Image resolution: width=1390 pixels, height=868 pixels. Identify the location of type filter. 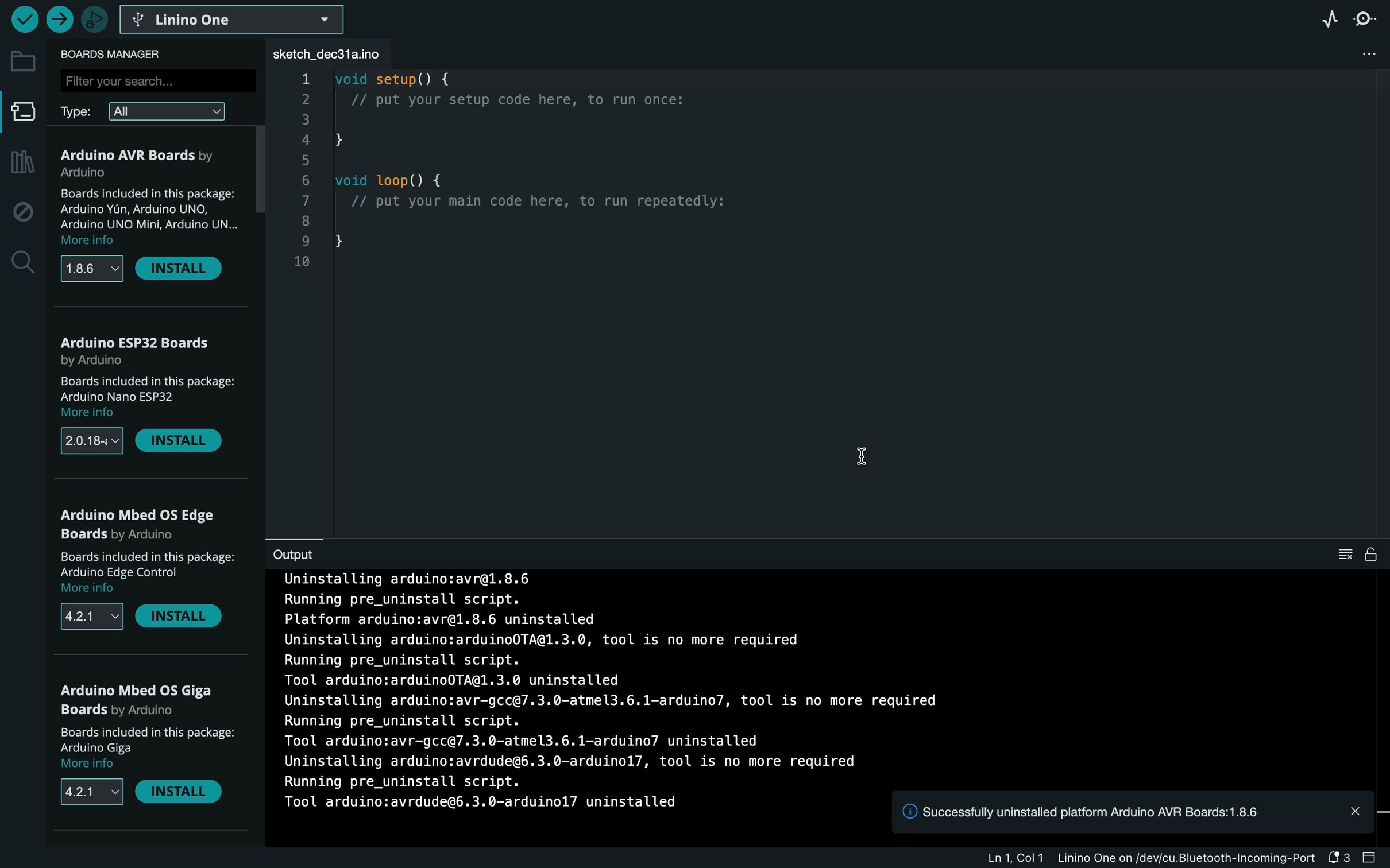
(147, 111).